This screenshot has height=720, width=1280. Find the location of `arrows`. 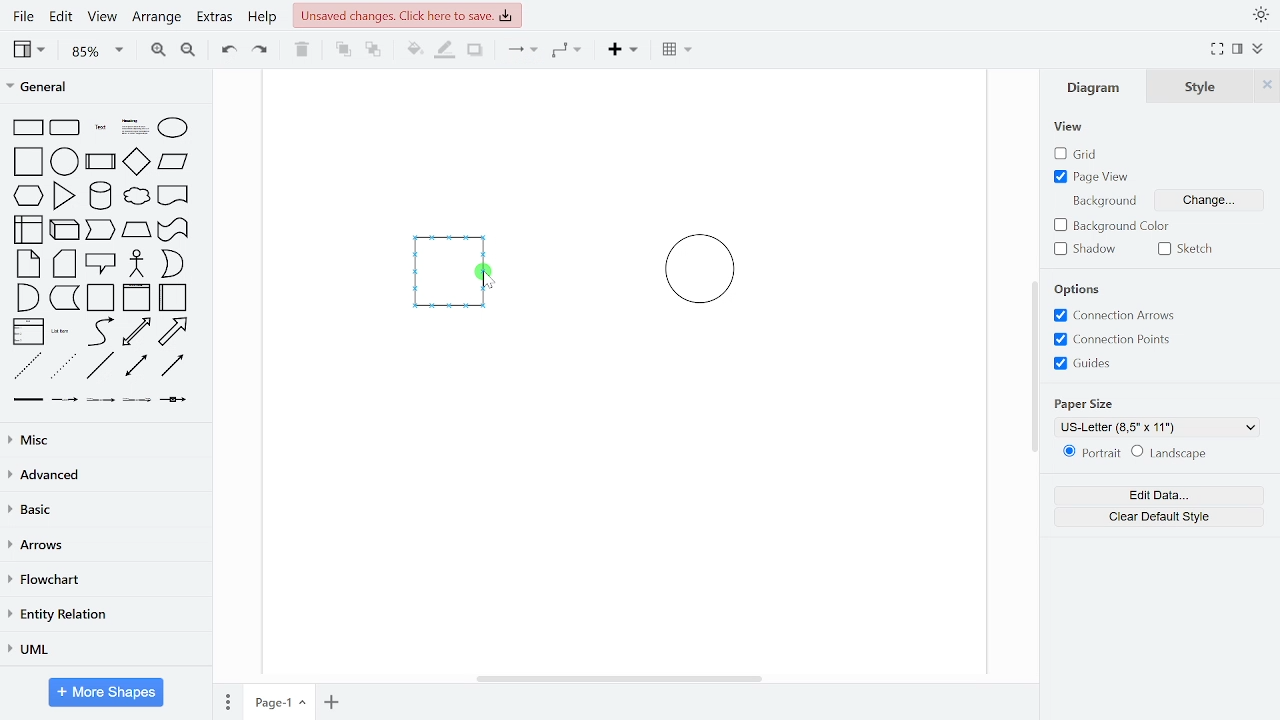

arrows is located at coordinates (103, 546).